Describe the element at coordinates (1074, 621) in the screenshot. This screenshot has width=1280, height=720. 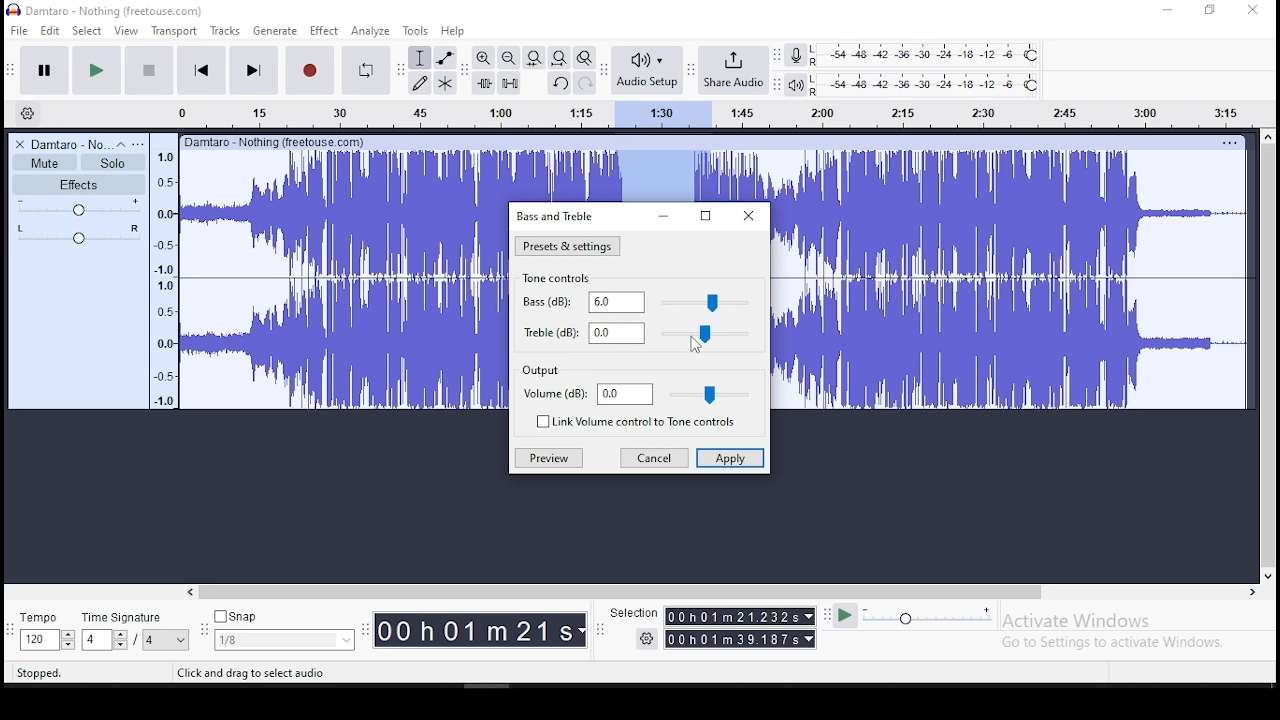
I see `Activate windows` at that location.